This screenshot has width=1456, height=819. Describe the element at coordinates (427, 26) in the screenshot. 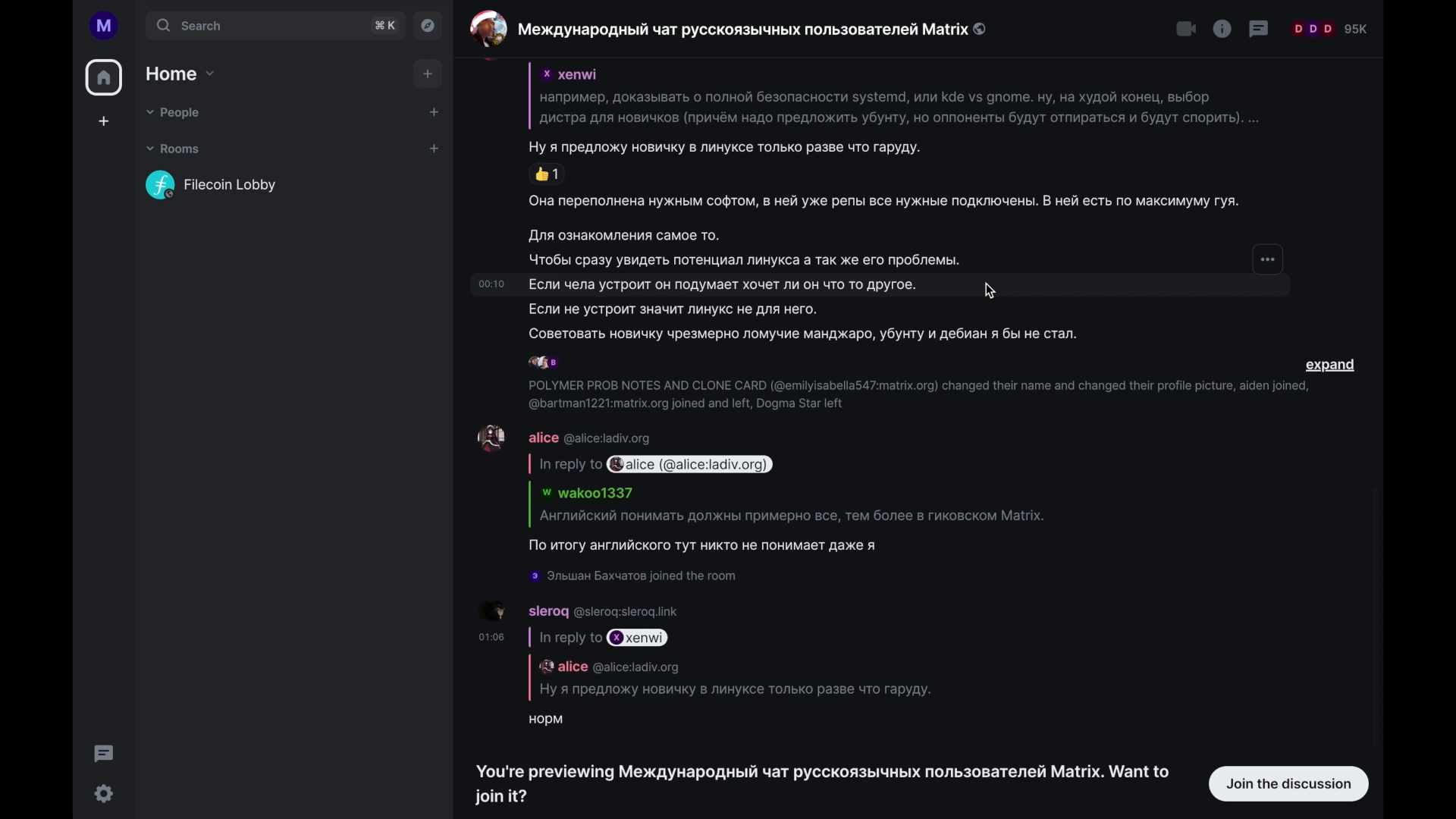

I see `explore rooms` at that location.